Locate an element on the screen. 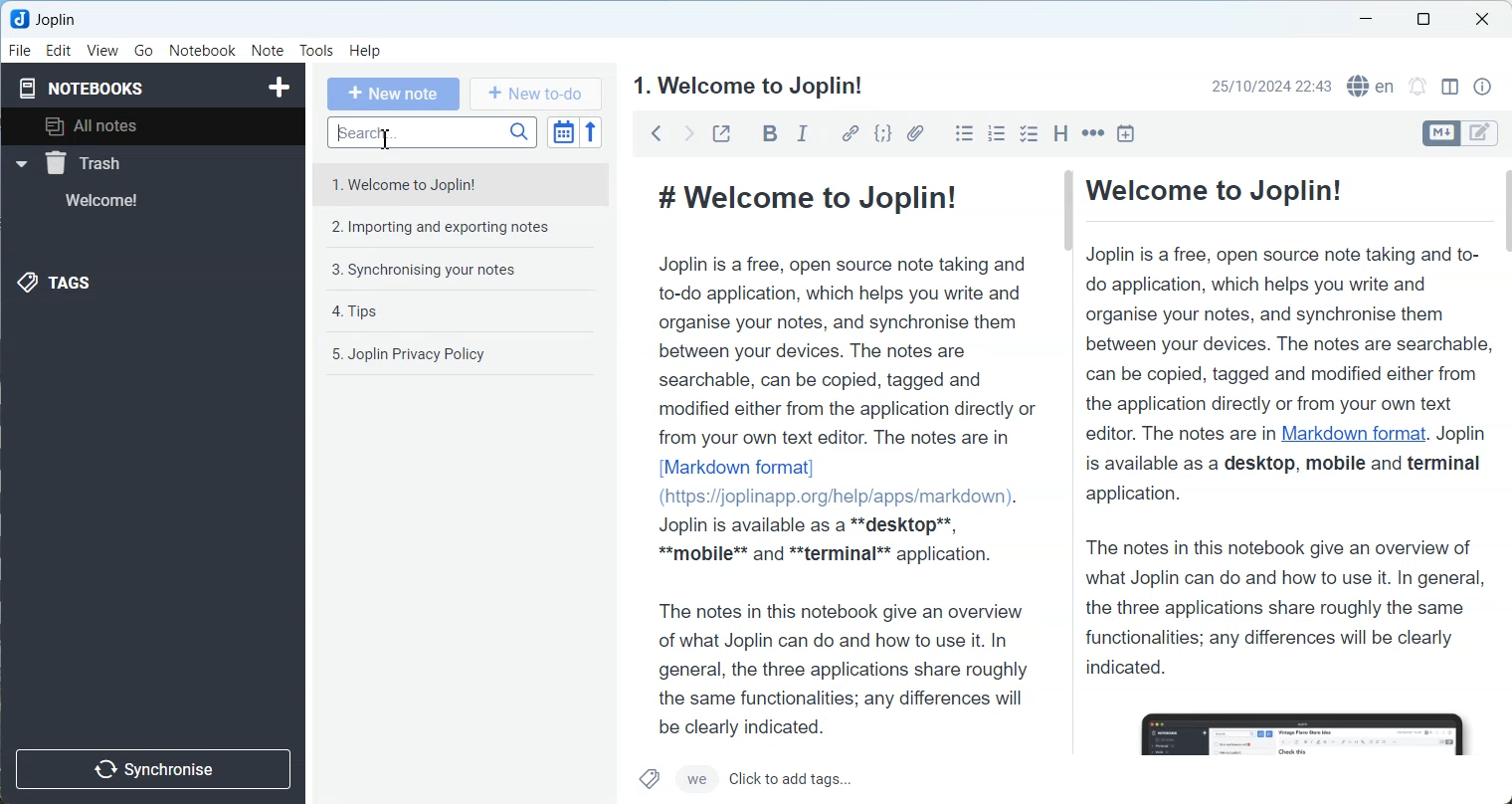 This screenshot has height=804, width=1512. Toggle editor layout is located at coordinates (1449, 87).